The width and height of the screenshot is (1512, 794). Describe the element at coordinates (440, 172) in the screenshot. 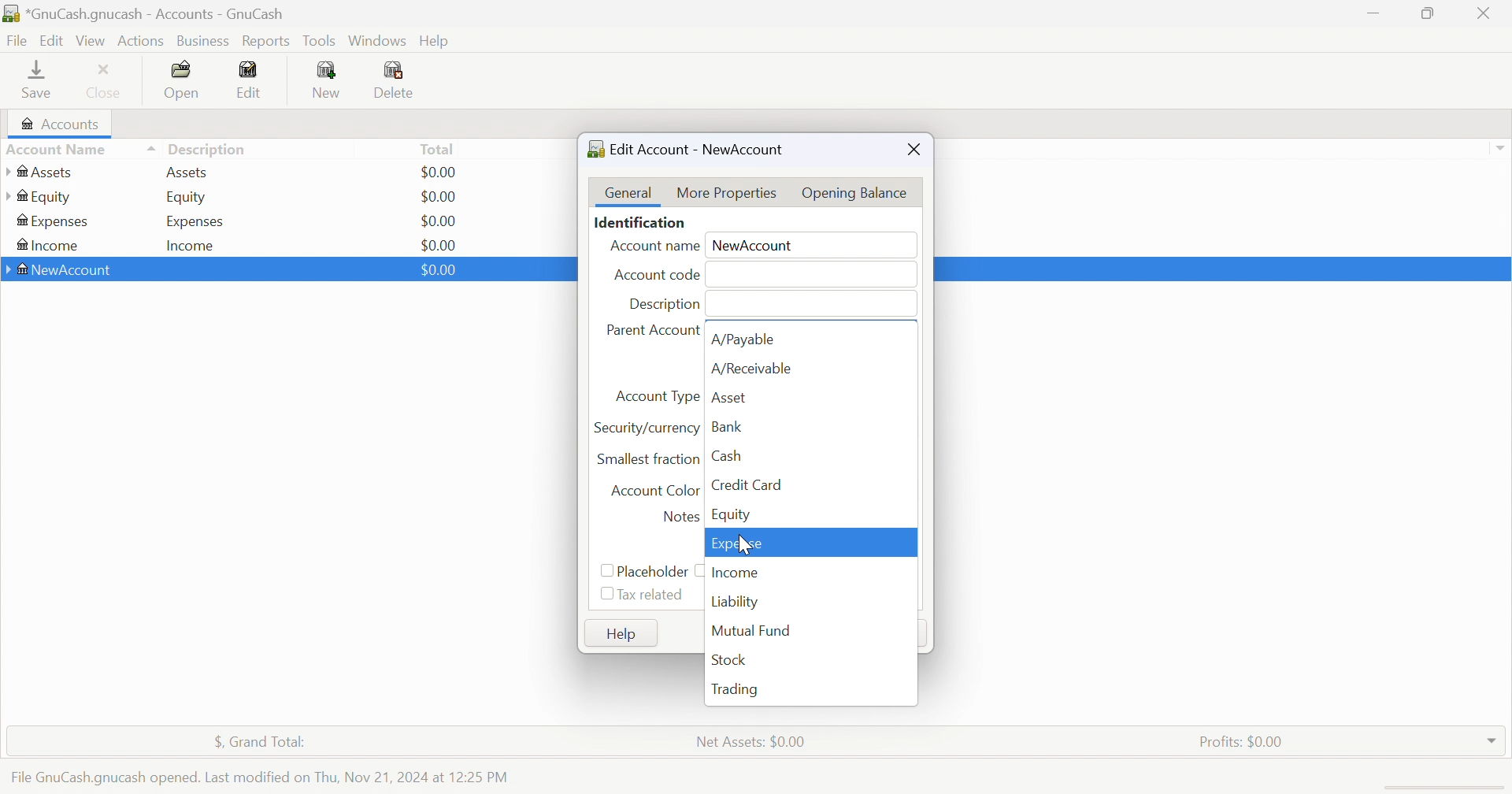

I see `$0.00` at that location.